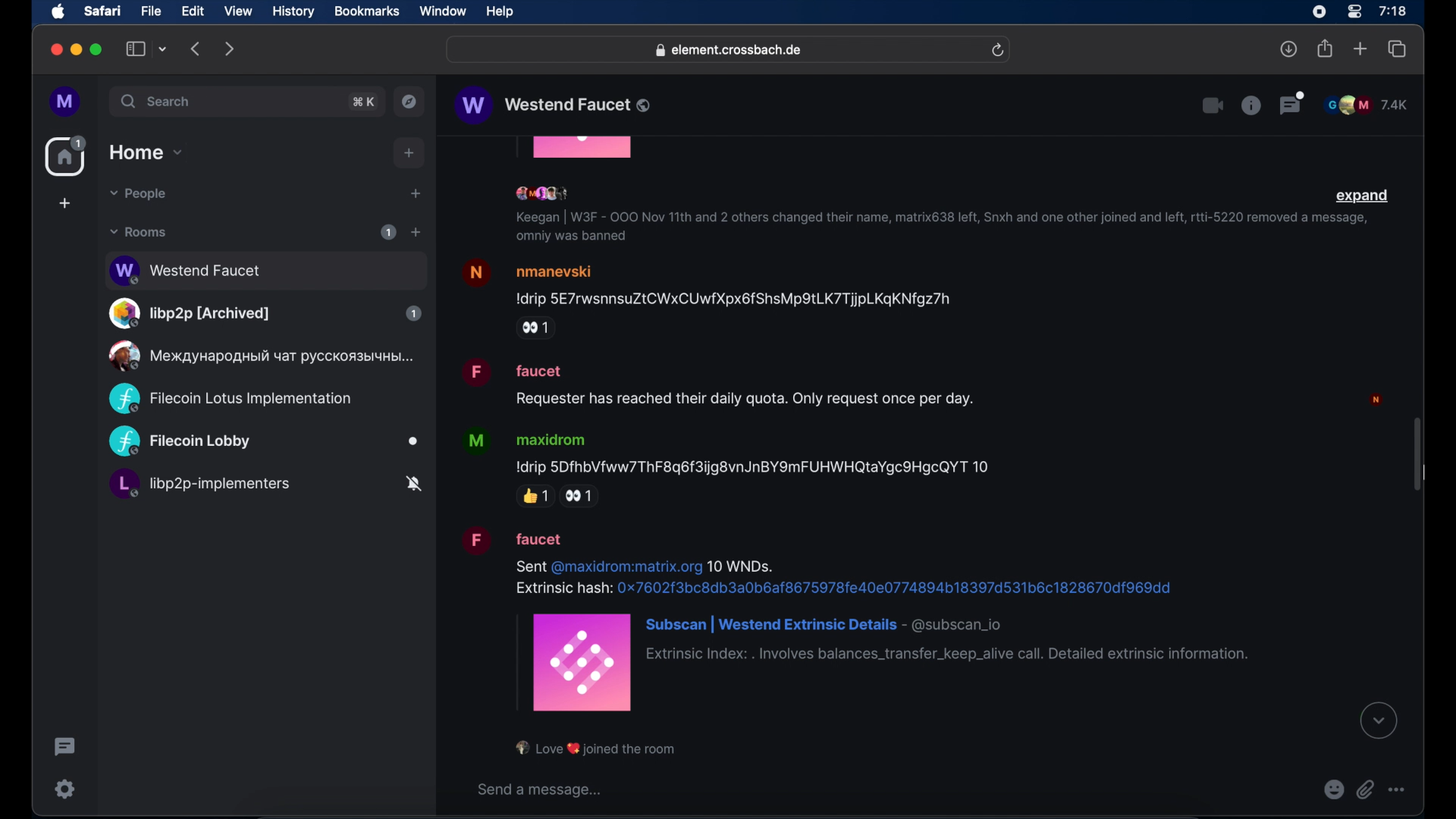 This screenshot has height=819, width=1456. What do you see at coordinates (230, 49) in the screenshot?
I see `forward` at bounding box center [230, 49].